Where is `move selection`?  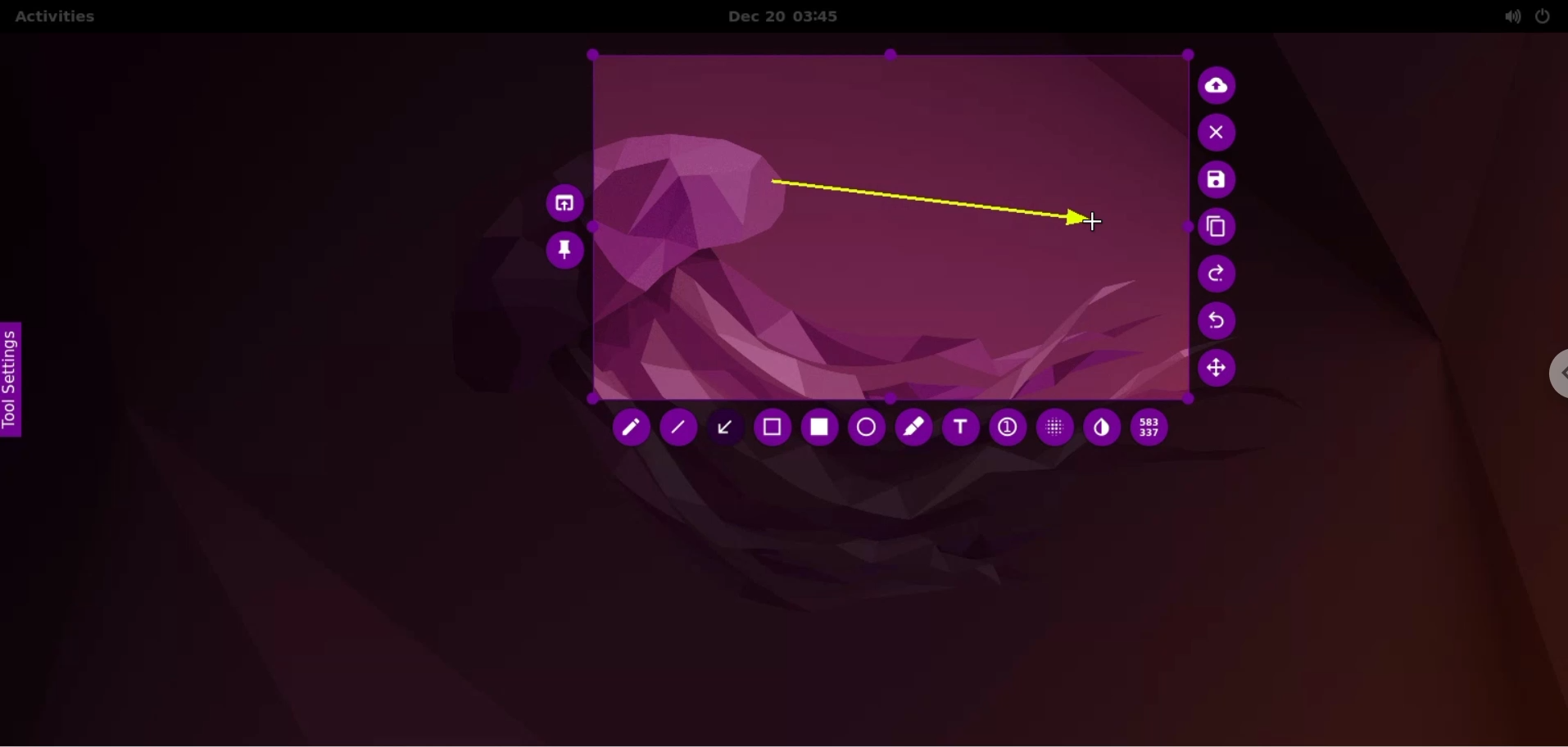 move selection is located at coordinates (1222, 372).